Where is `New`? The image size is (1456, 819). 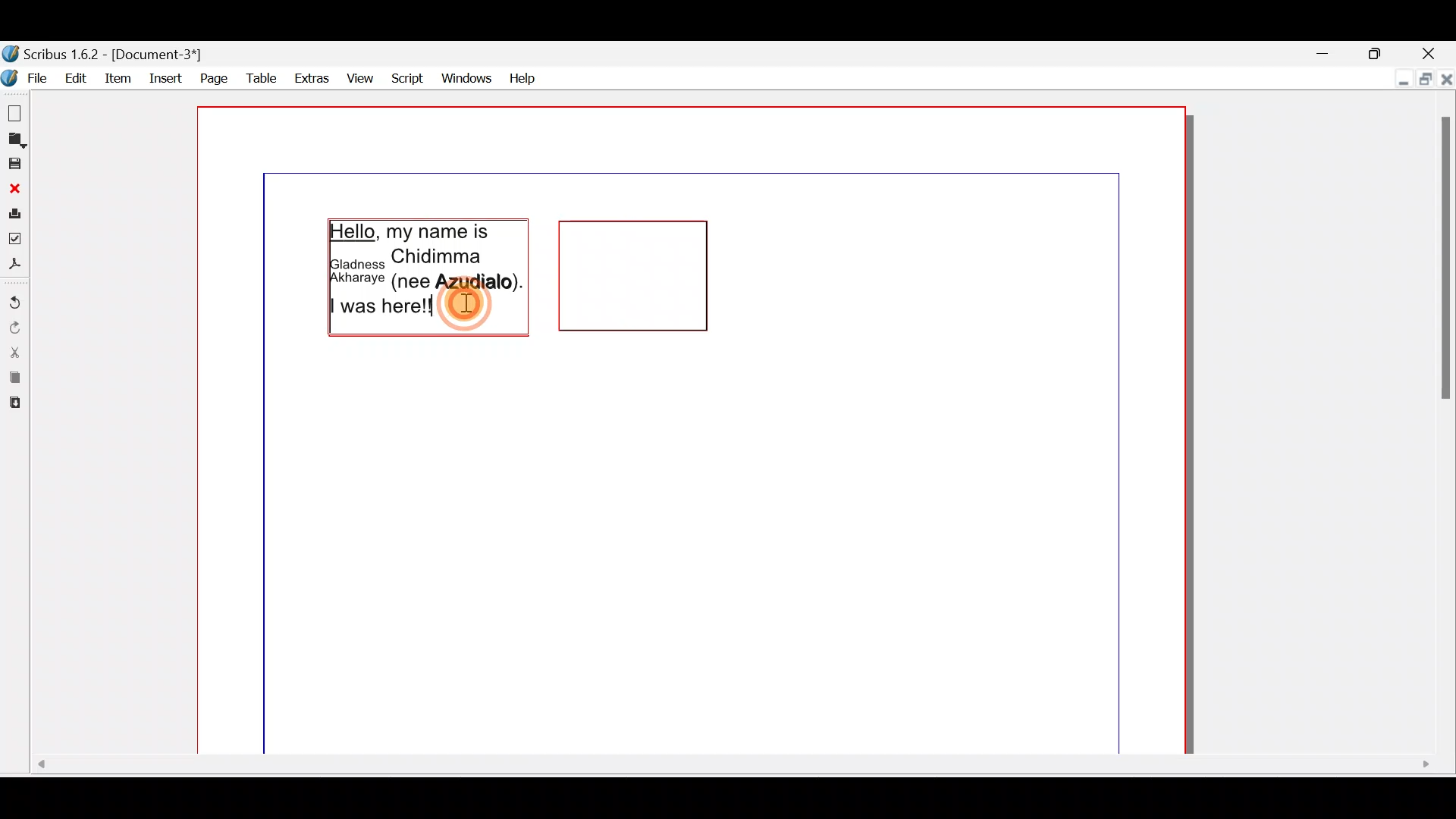
New is located at coordinates (17, 112).